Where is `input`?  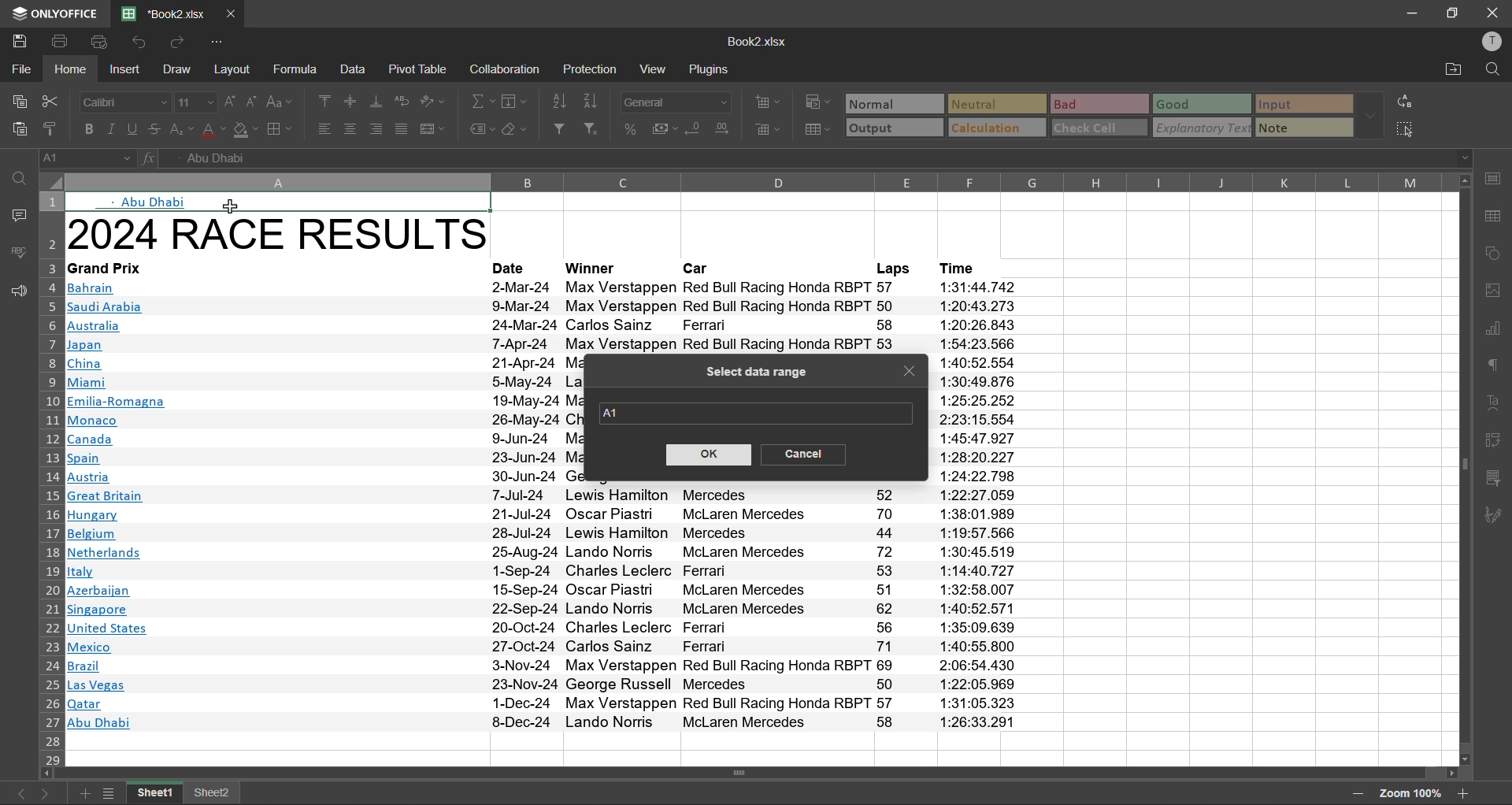
input is located at coordinates (1291, 104).